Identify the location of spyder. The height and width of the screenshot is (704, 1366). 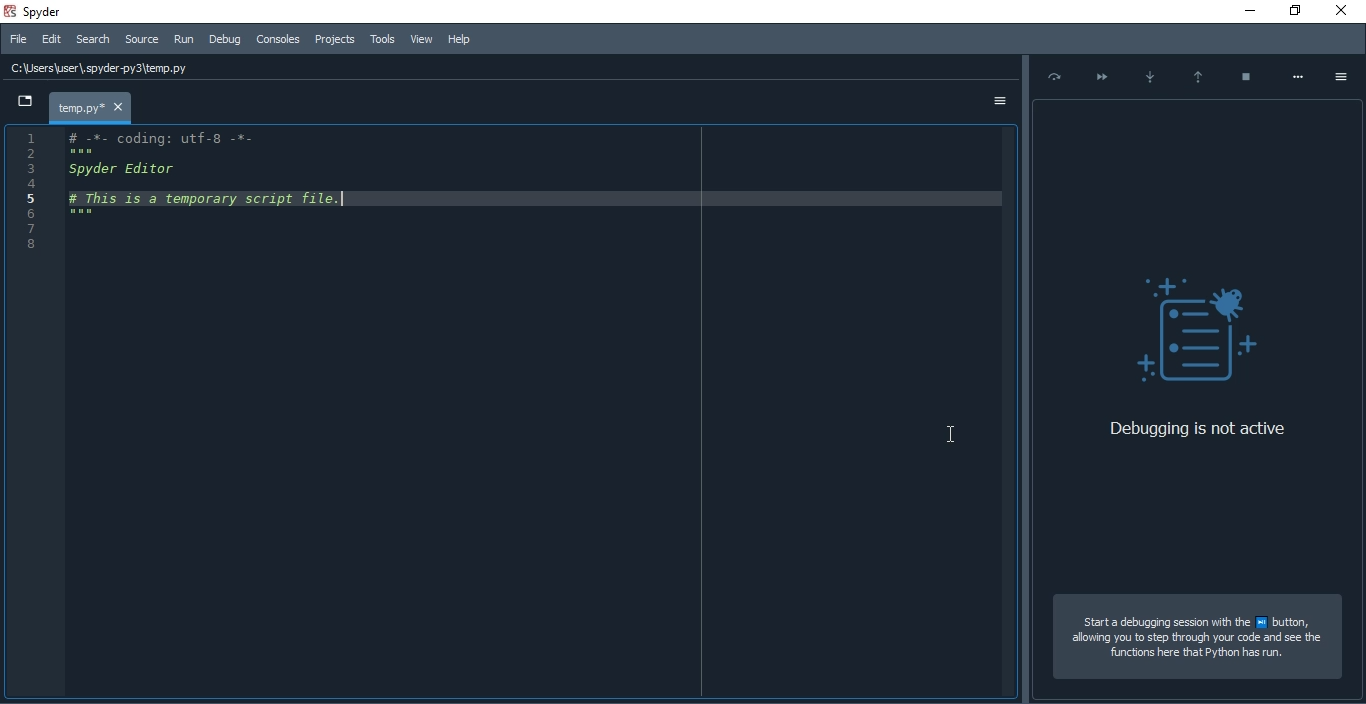
(53, 10).